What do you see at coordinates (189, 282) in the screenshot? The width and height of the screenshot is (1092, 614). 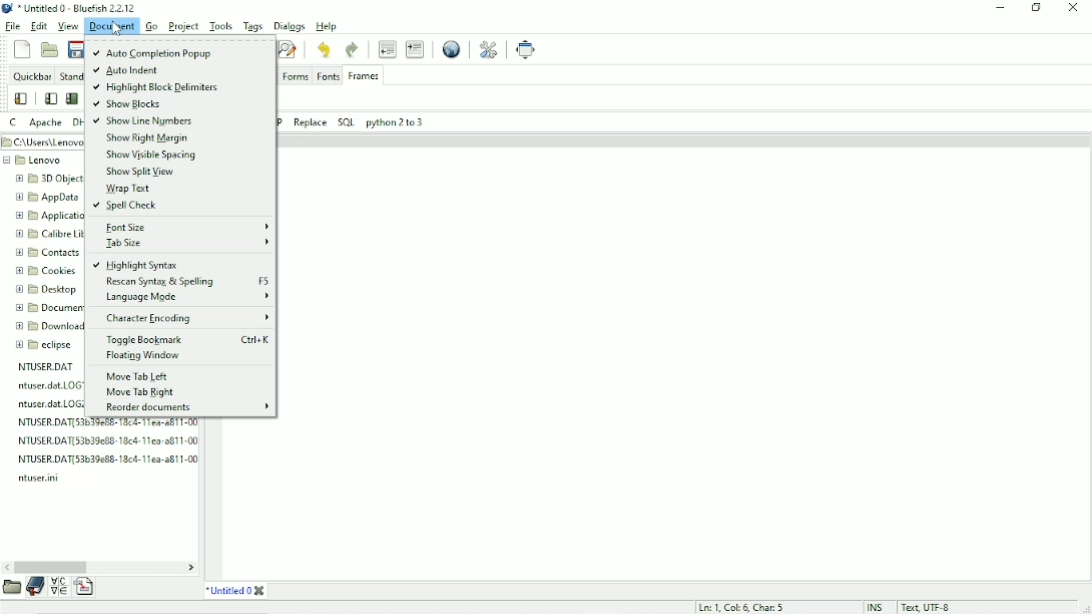 I see `Rescan syntax & spelling` at bounding box center [189, 282].